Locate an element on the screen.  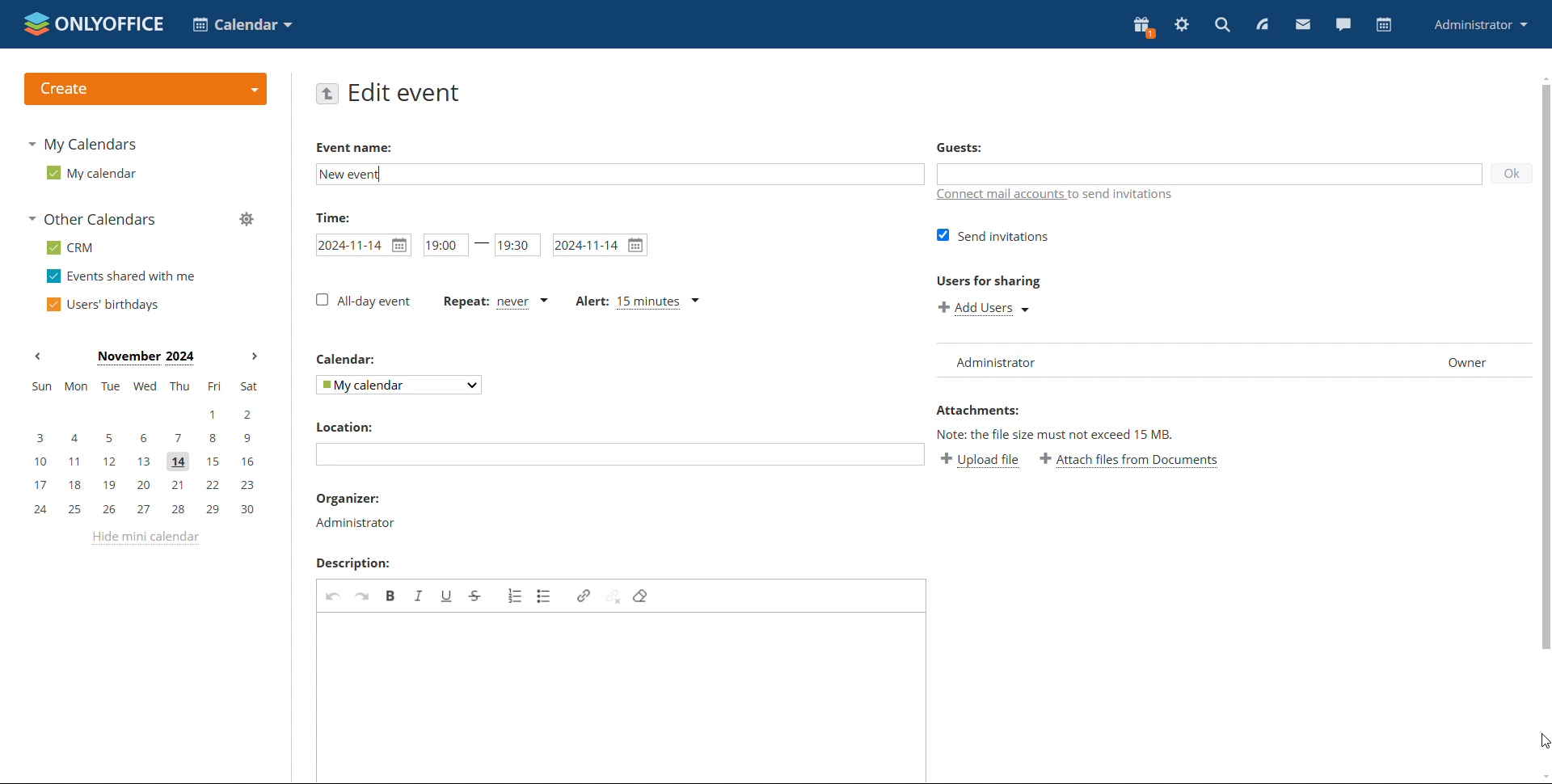
current month is located at coordinates (145, 358).